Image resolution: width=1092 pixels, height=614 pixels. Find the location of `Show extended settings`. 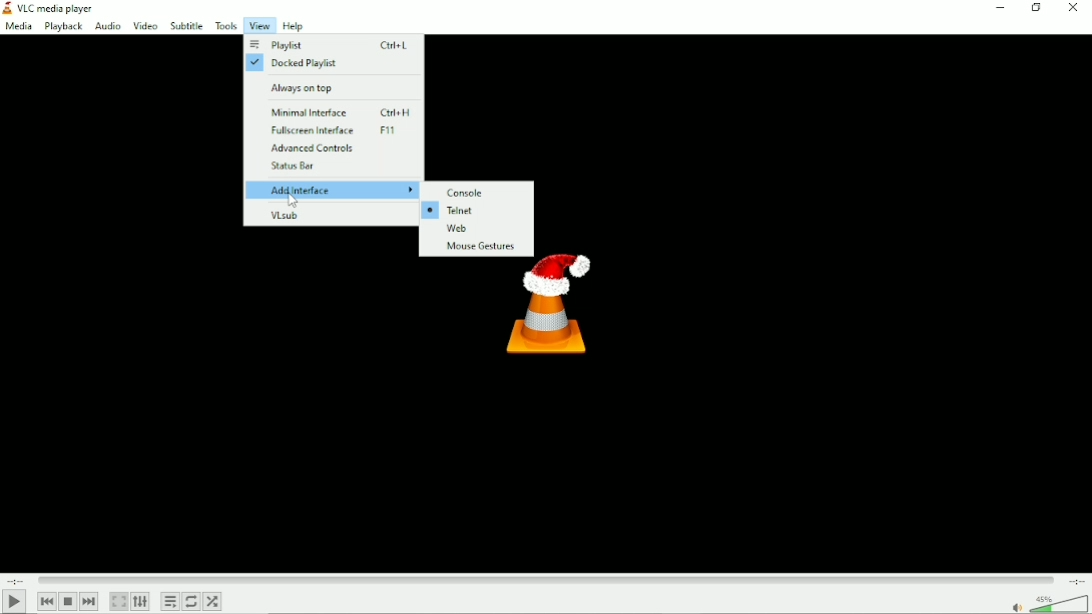

Show extended settings is located at coordinates (140, 602).